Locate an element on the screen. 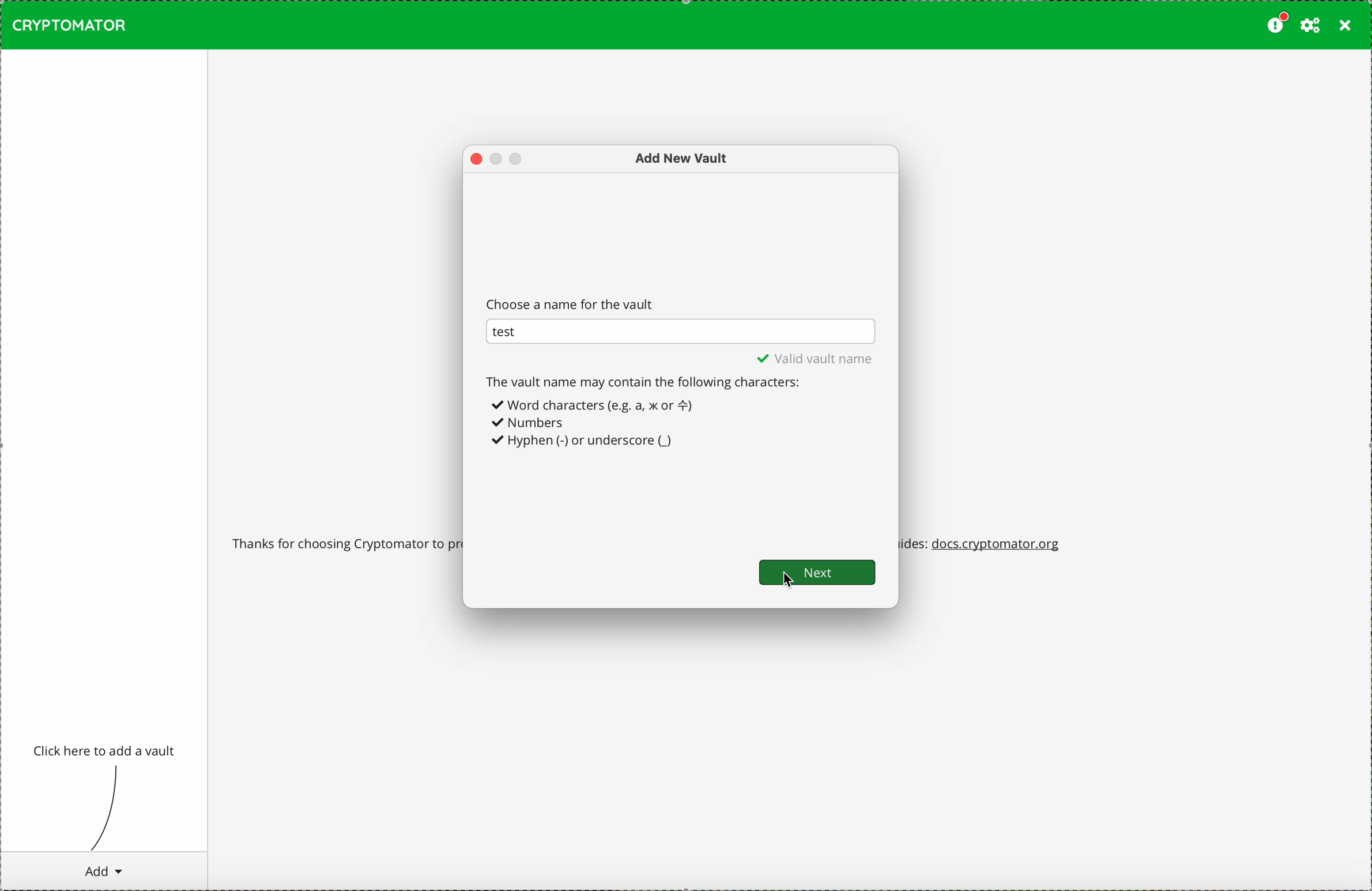 The width and height of the screenshot is (1372, 891). please consider donating is located at coordinates (1276, 24).